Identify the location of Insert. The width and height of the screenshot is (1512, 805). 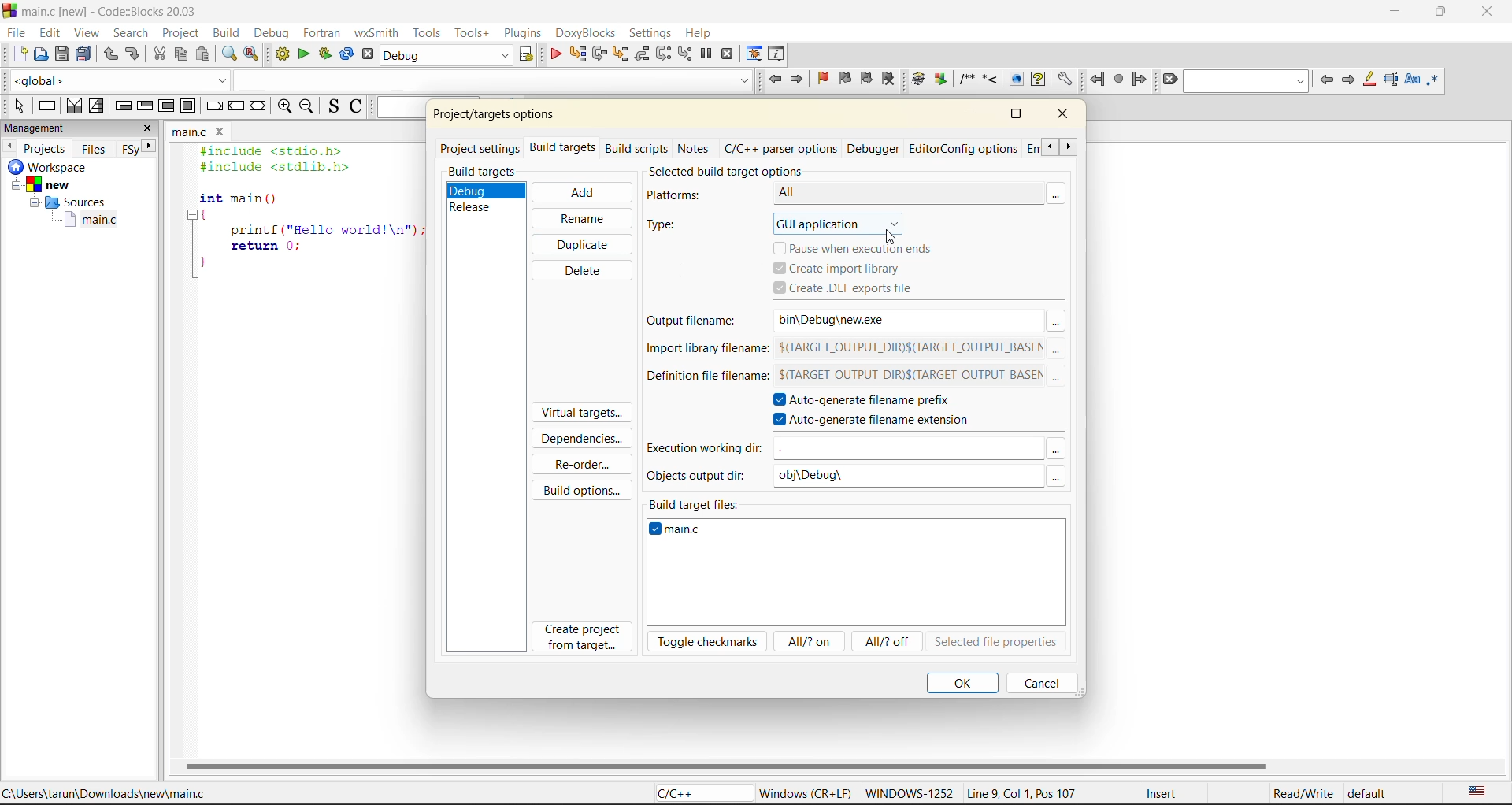
(1161, 793).